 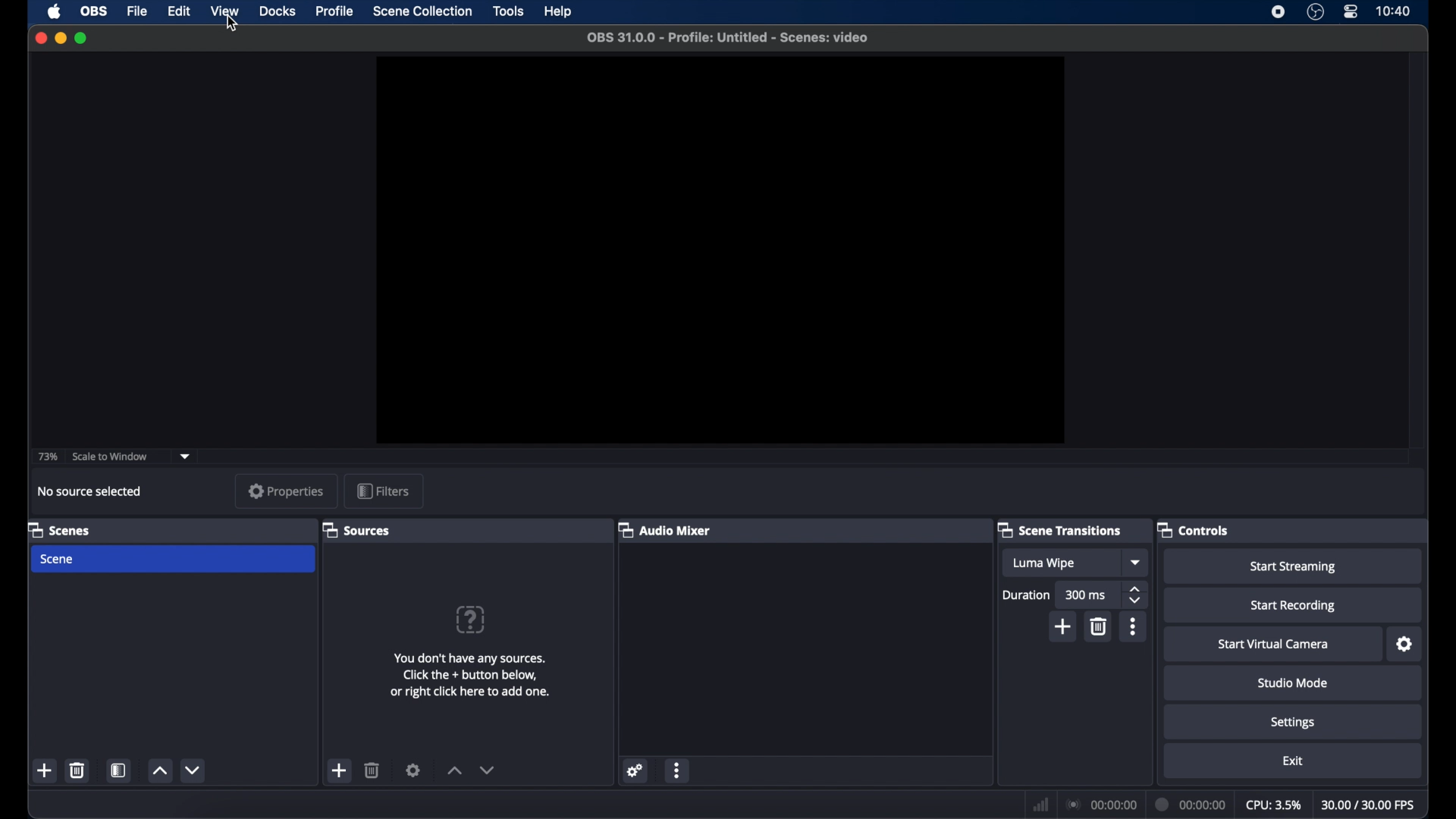 I want to click on decrement, so click(x=192, y=770).